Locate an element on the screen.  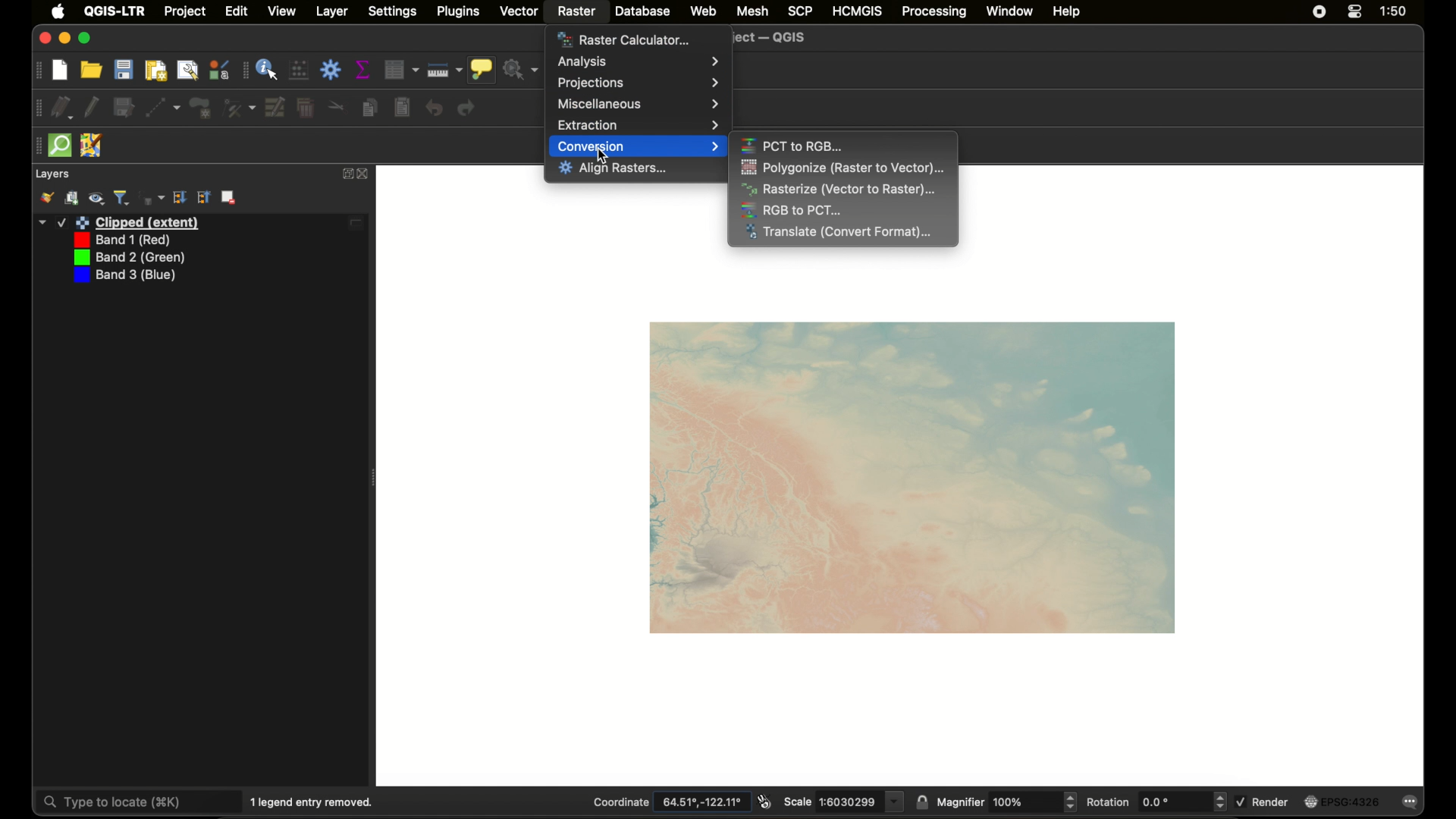
open layer styling panel is located at coordinates (46, 198).